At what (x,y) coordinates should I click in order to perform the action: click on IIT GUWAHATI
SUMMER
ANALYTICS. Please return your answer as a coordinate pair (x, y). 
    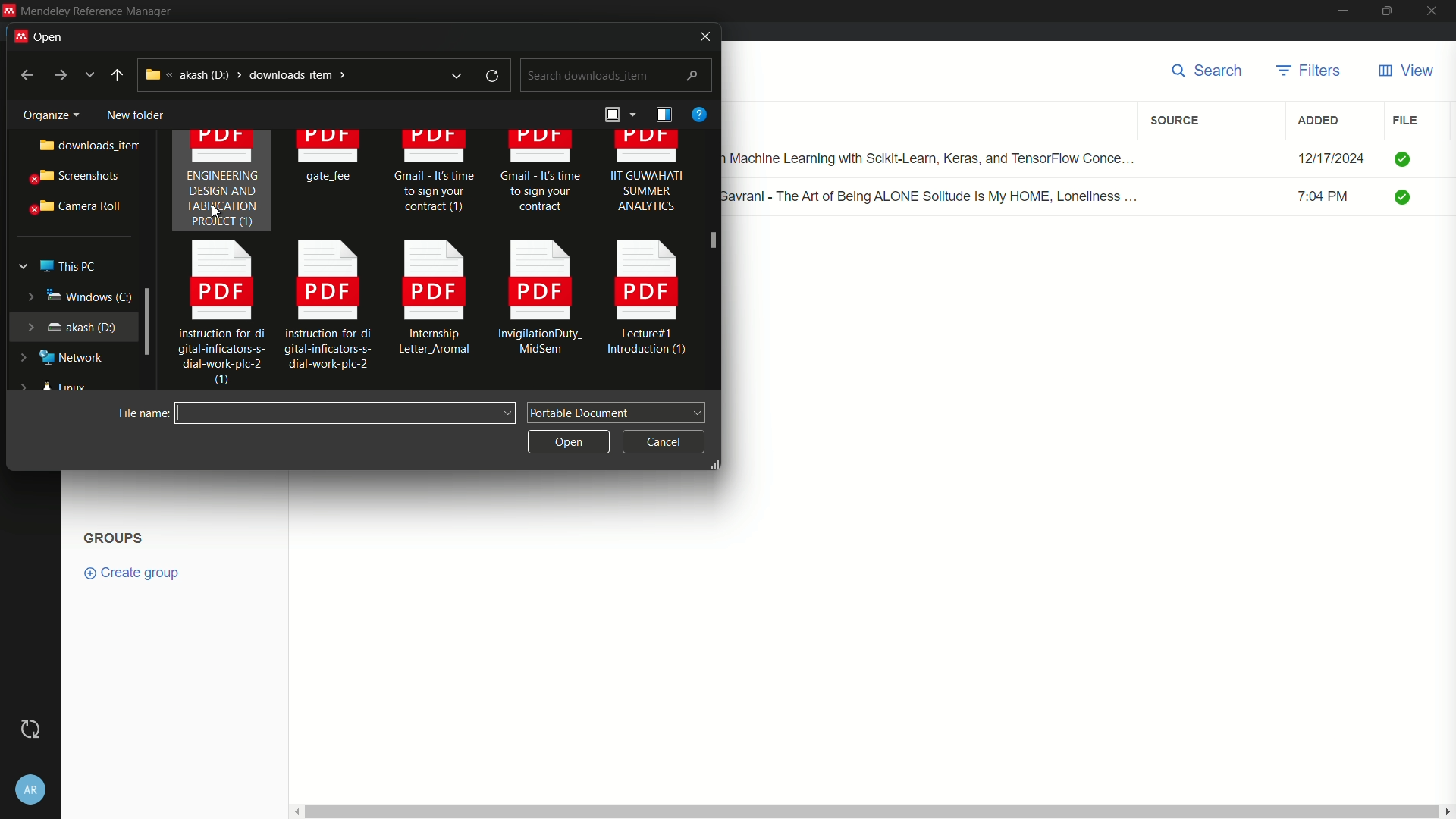
    Looking at the image, I should click on (647, 178).